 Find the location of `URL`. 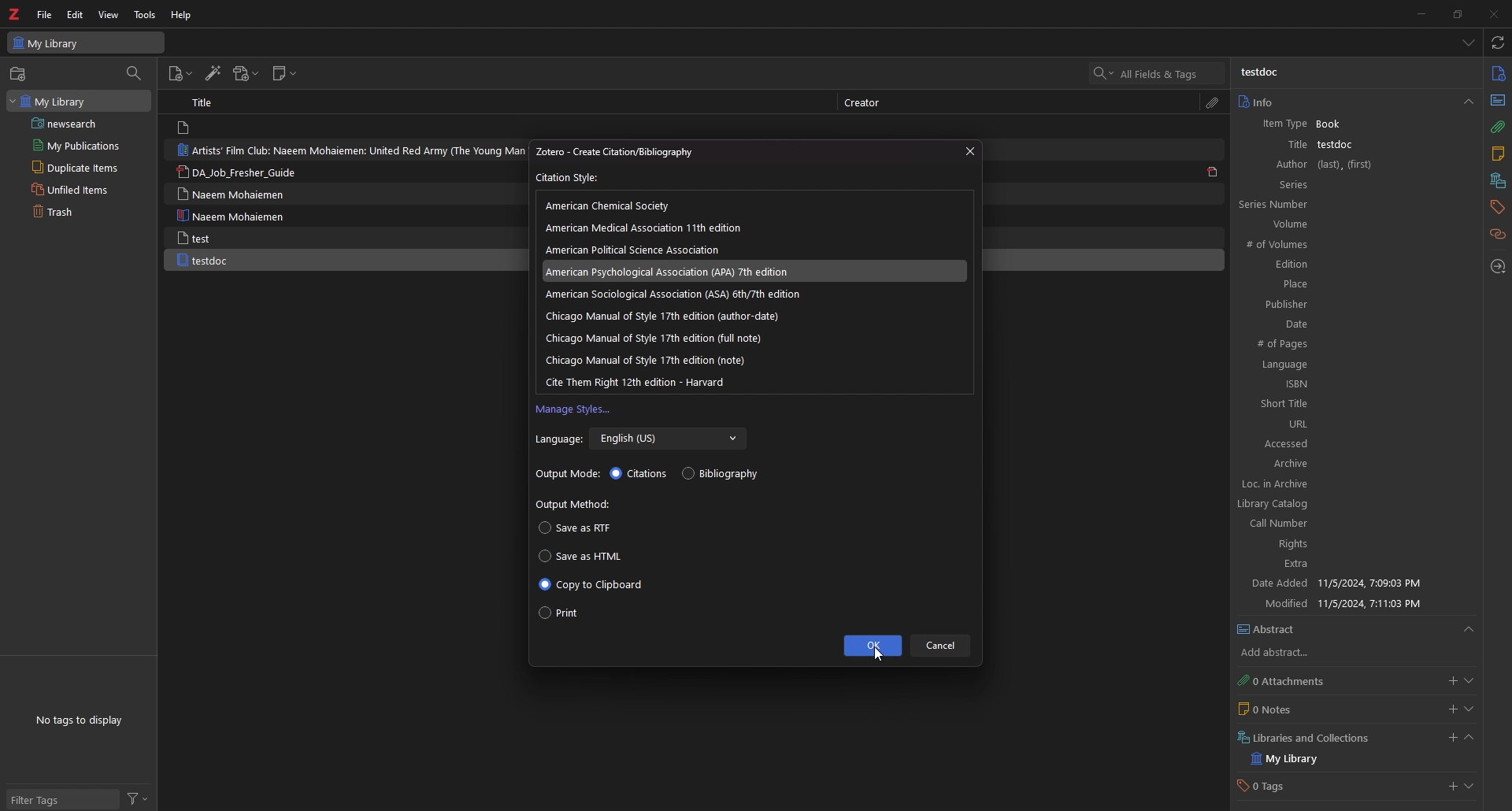

URL is located at coordinates (1352, 424).